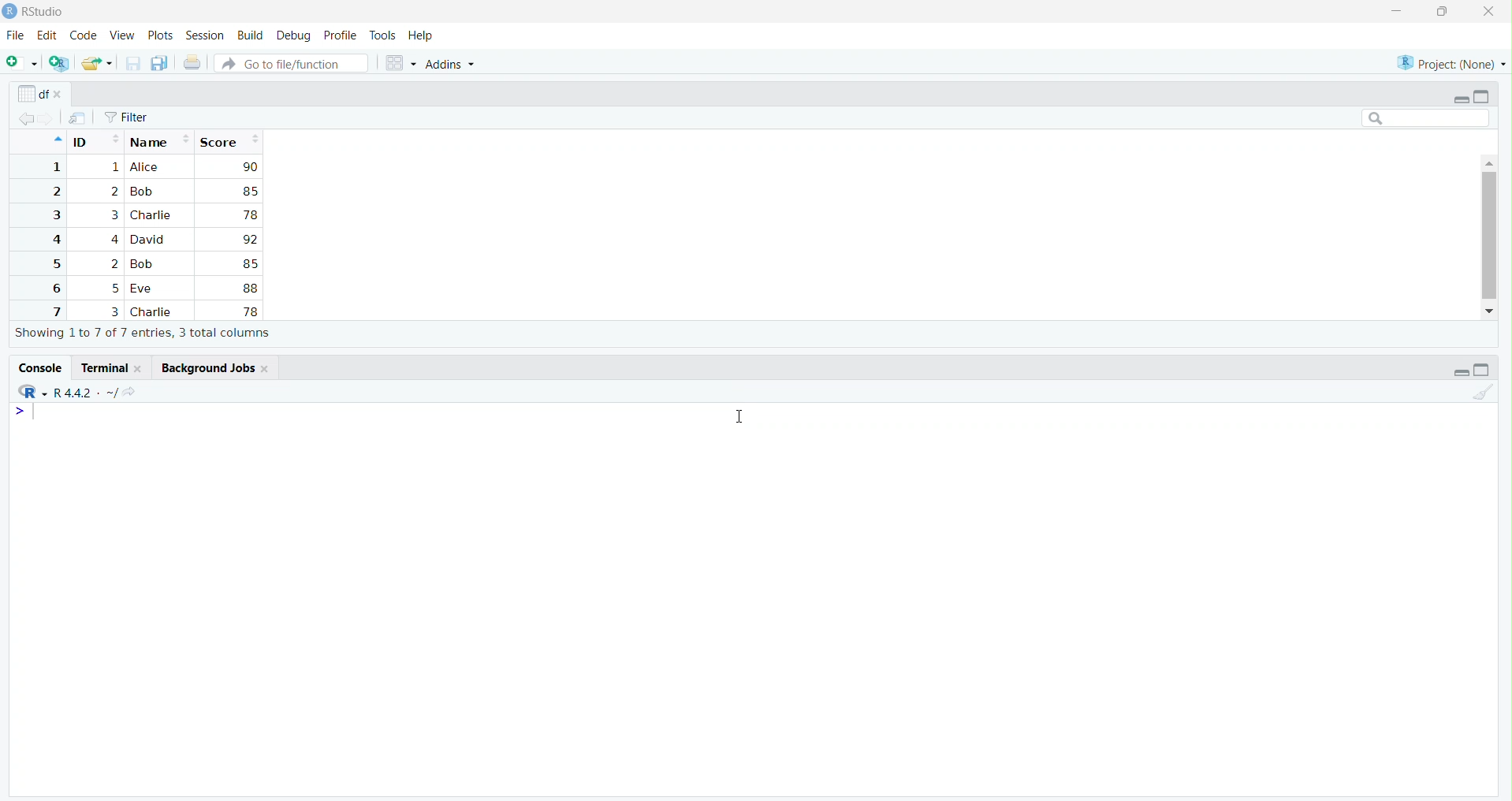 This screenshot has height=801, width=1512. I want to click on Project (None), so click(1448, 64).